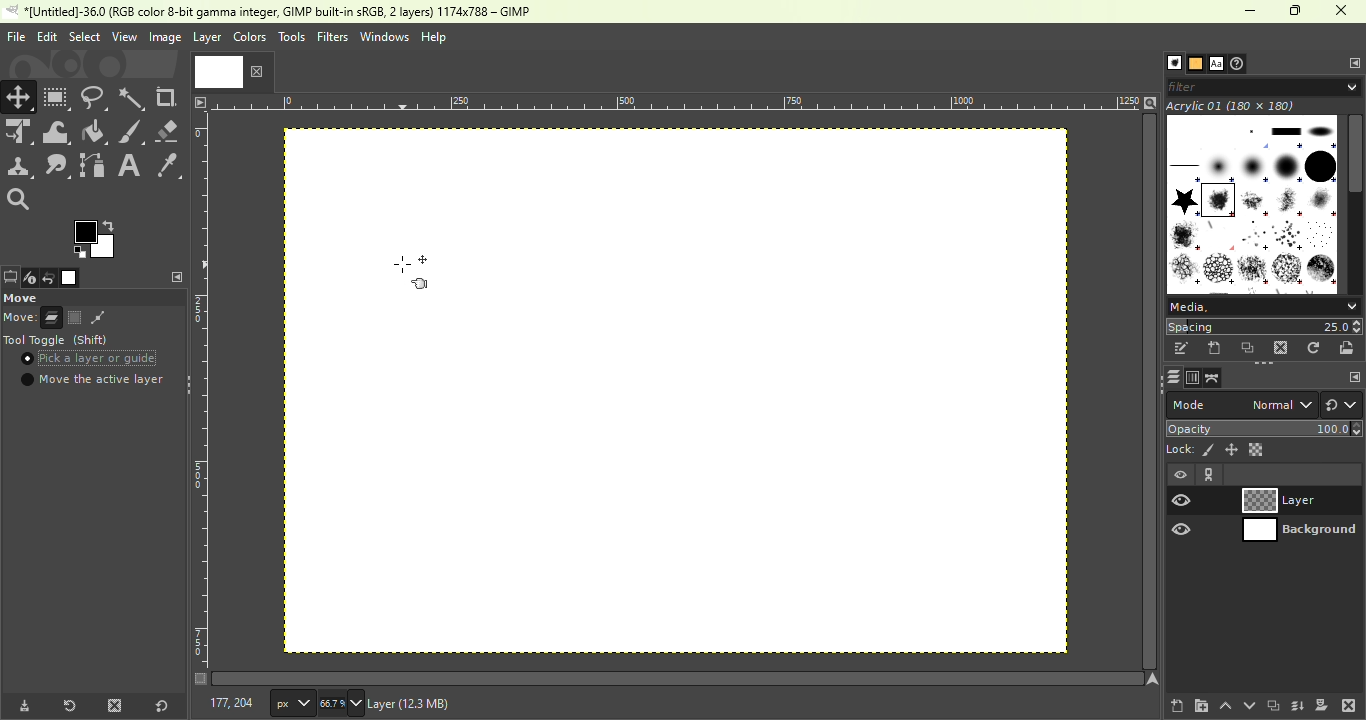  What do you see at coordinates (1213, 378) in the screenshot?
I see `Paths` at bounding box center [1213, 378].